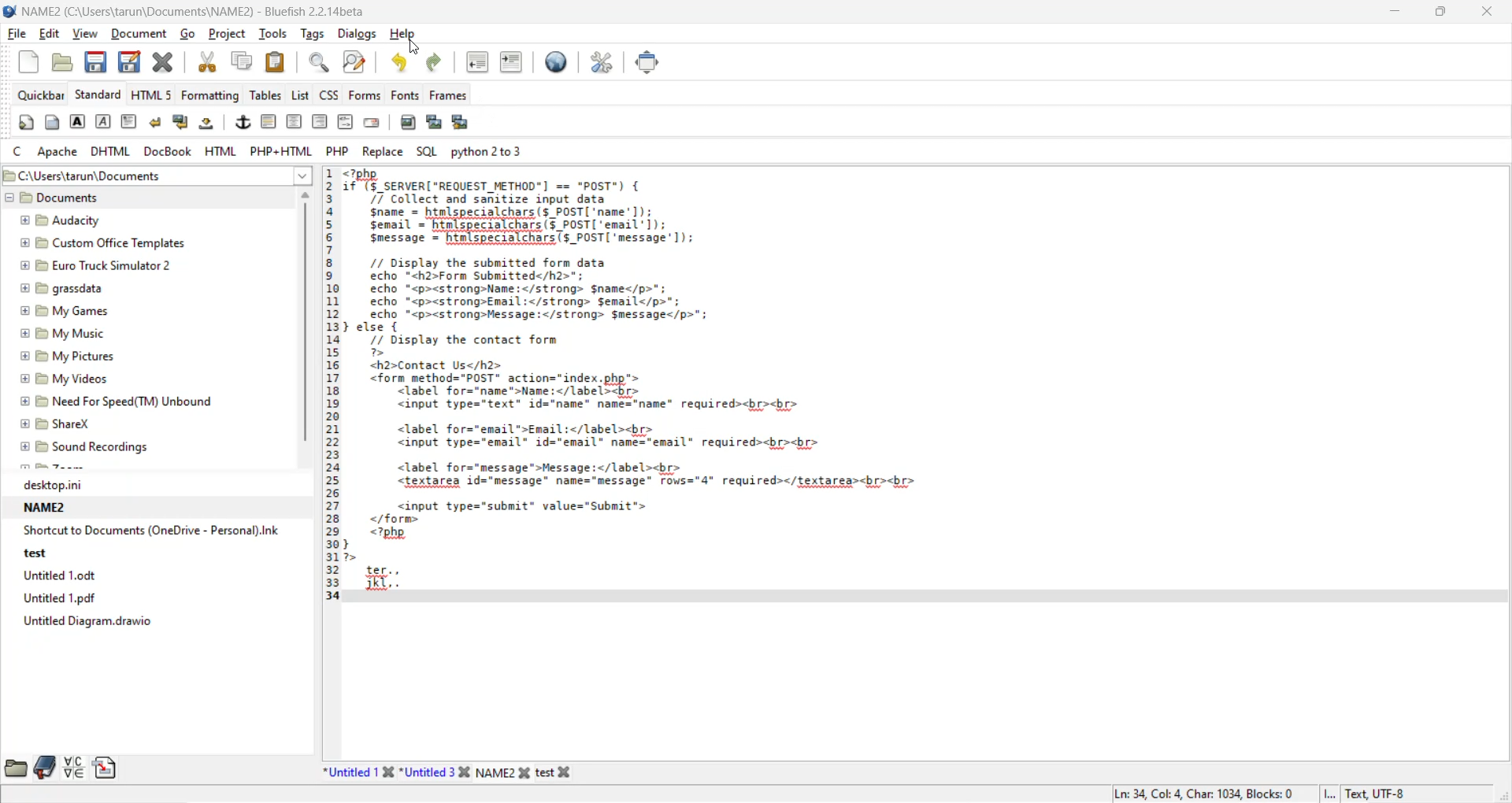  What do you see at coordinates (16, 33) in the screenshot?
I see `file` at bounding box center [16, 33].